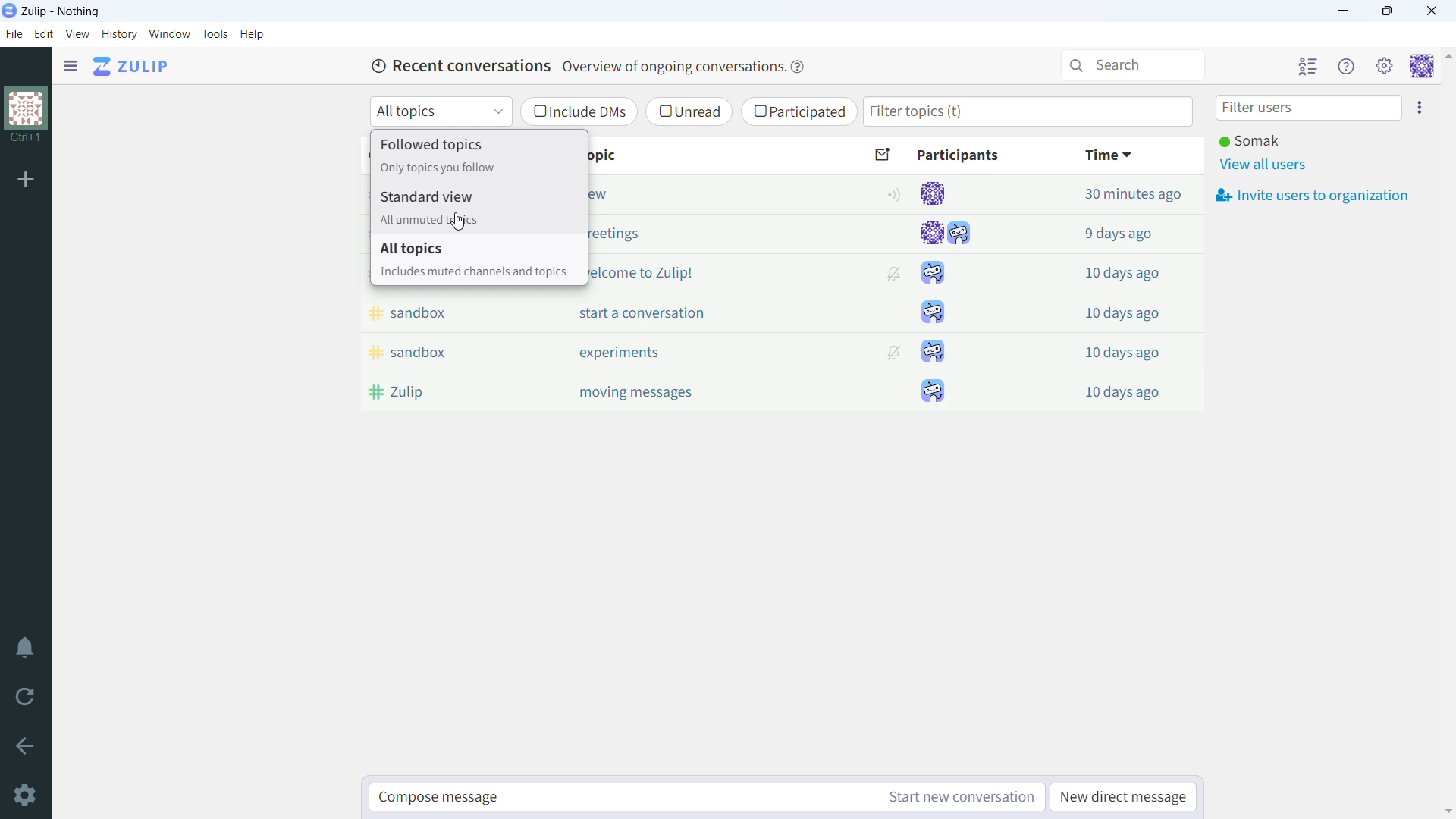 This screenshot has width=1456, height=819. I want to click on compose message, so click(622, 797).